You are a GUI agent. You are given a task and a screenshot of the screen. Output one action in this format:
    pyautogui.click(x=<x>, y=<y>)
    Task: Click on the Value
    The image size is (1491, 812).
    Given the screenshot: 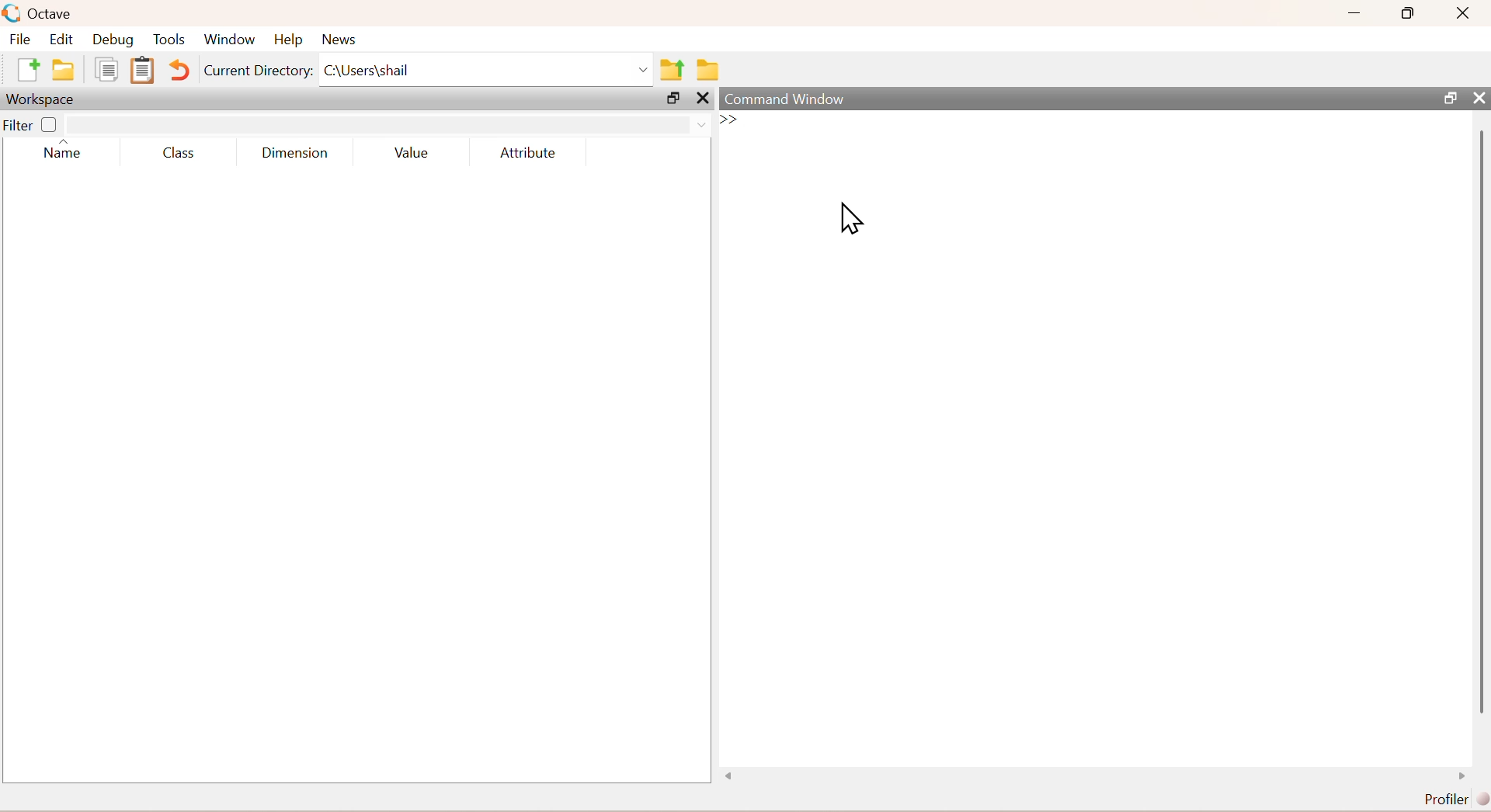 What is the action you would take?
    pyautogui.click(x=412, y=152)
    